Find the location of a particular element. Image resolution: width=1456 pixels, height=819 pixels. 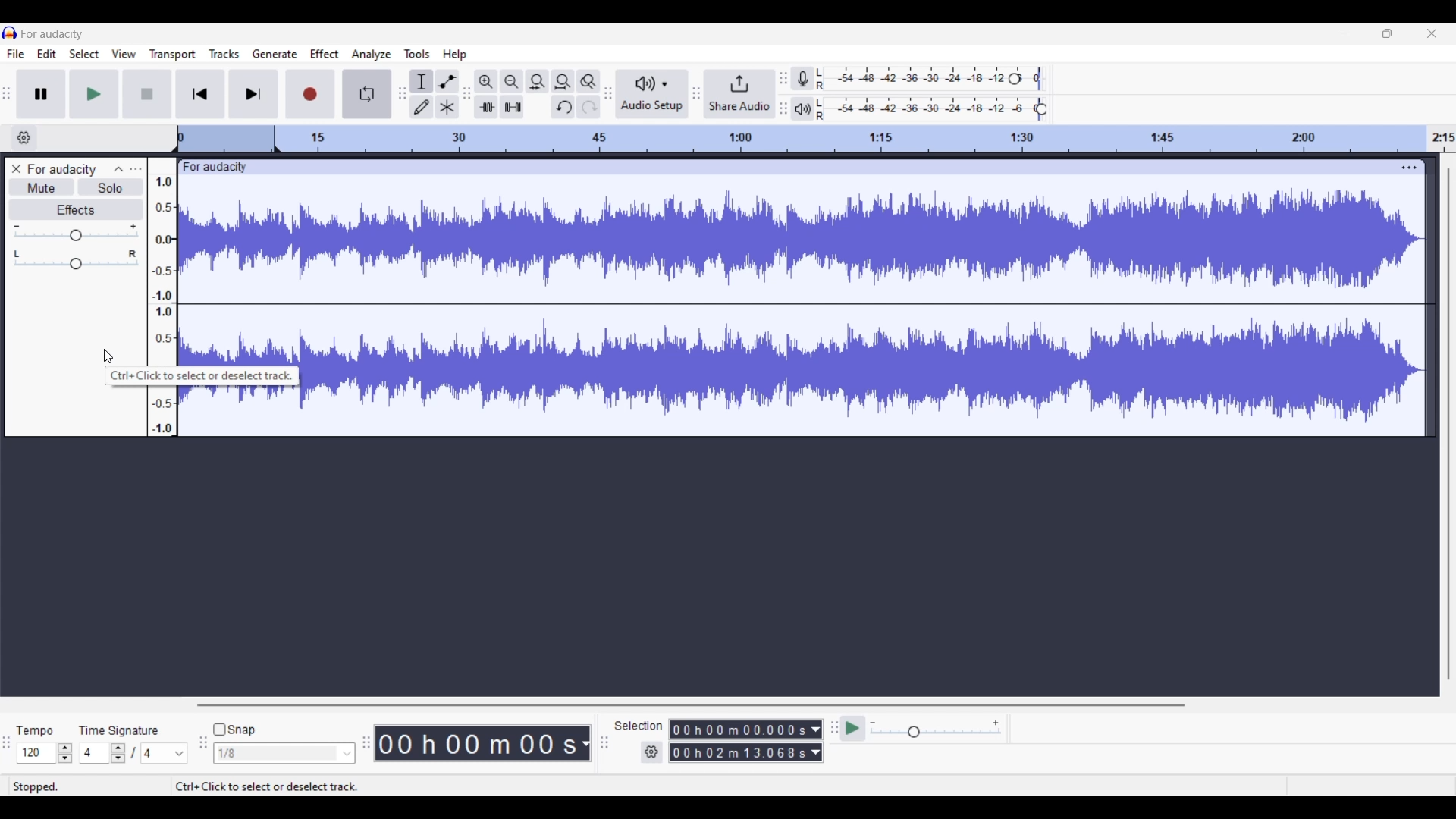

Pause is located at coordinates (41, 93).